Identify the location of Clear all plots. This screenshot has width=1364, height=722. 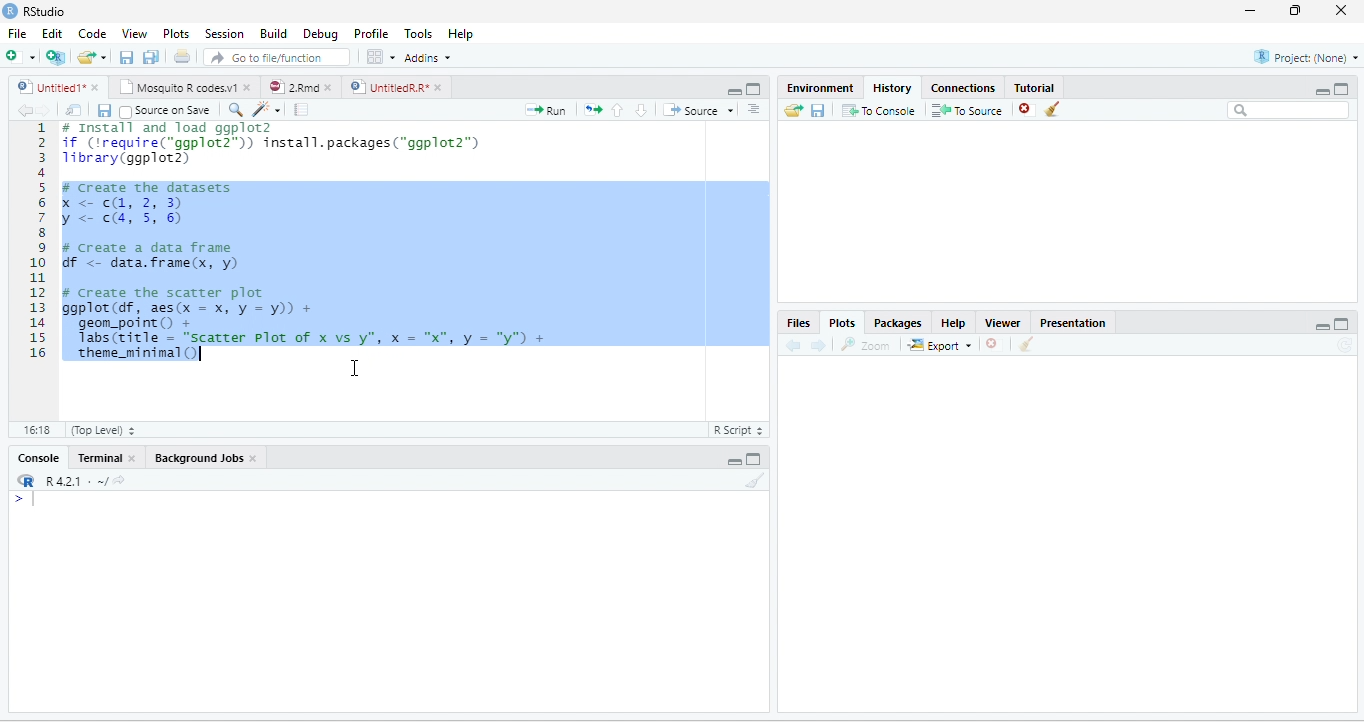
(1027, 344).